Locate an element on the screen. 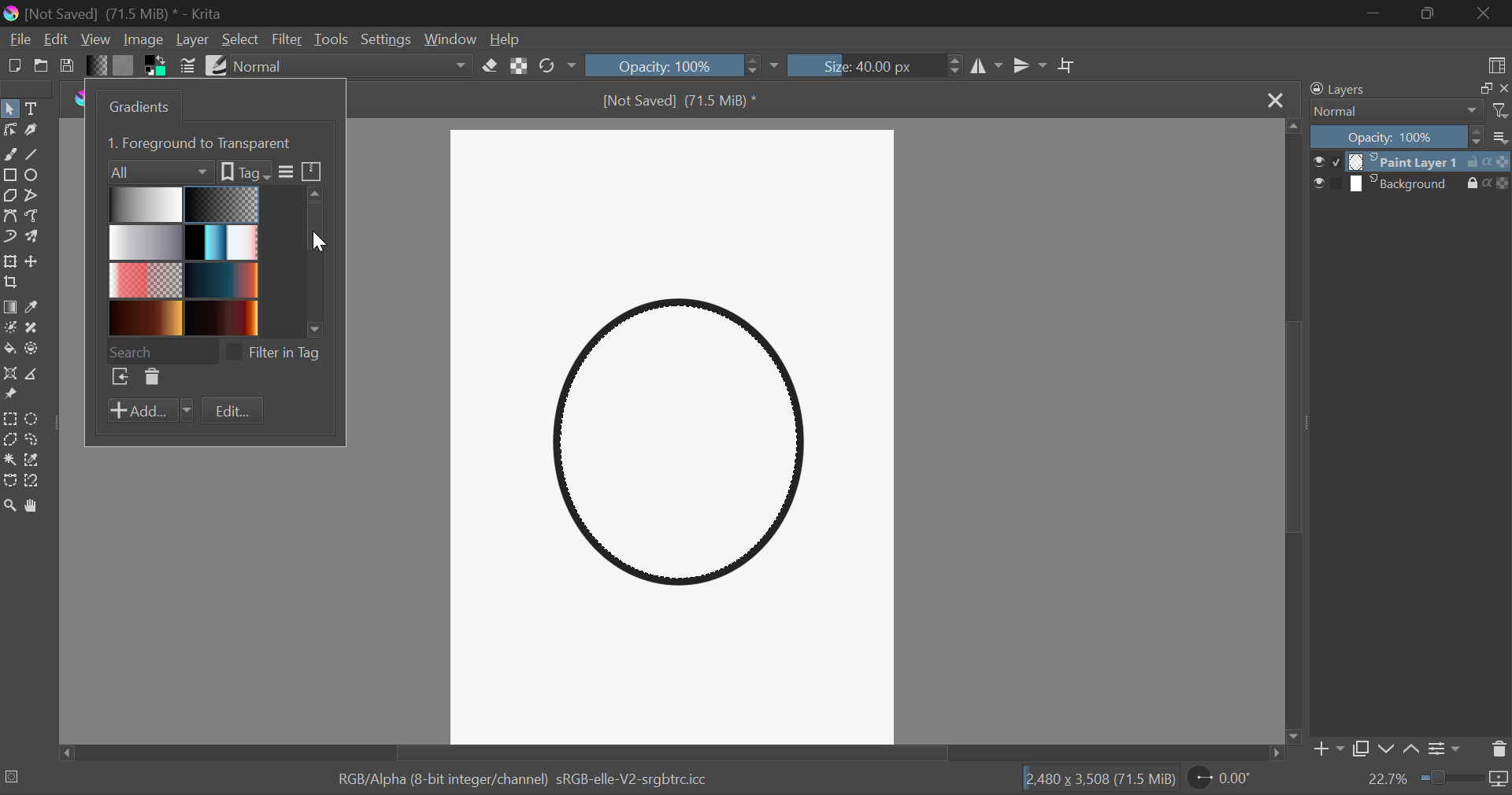 This screenshot has height=795, width=1512. Add Layer is located at coordinates (1328, 750).